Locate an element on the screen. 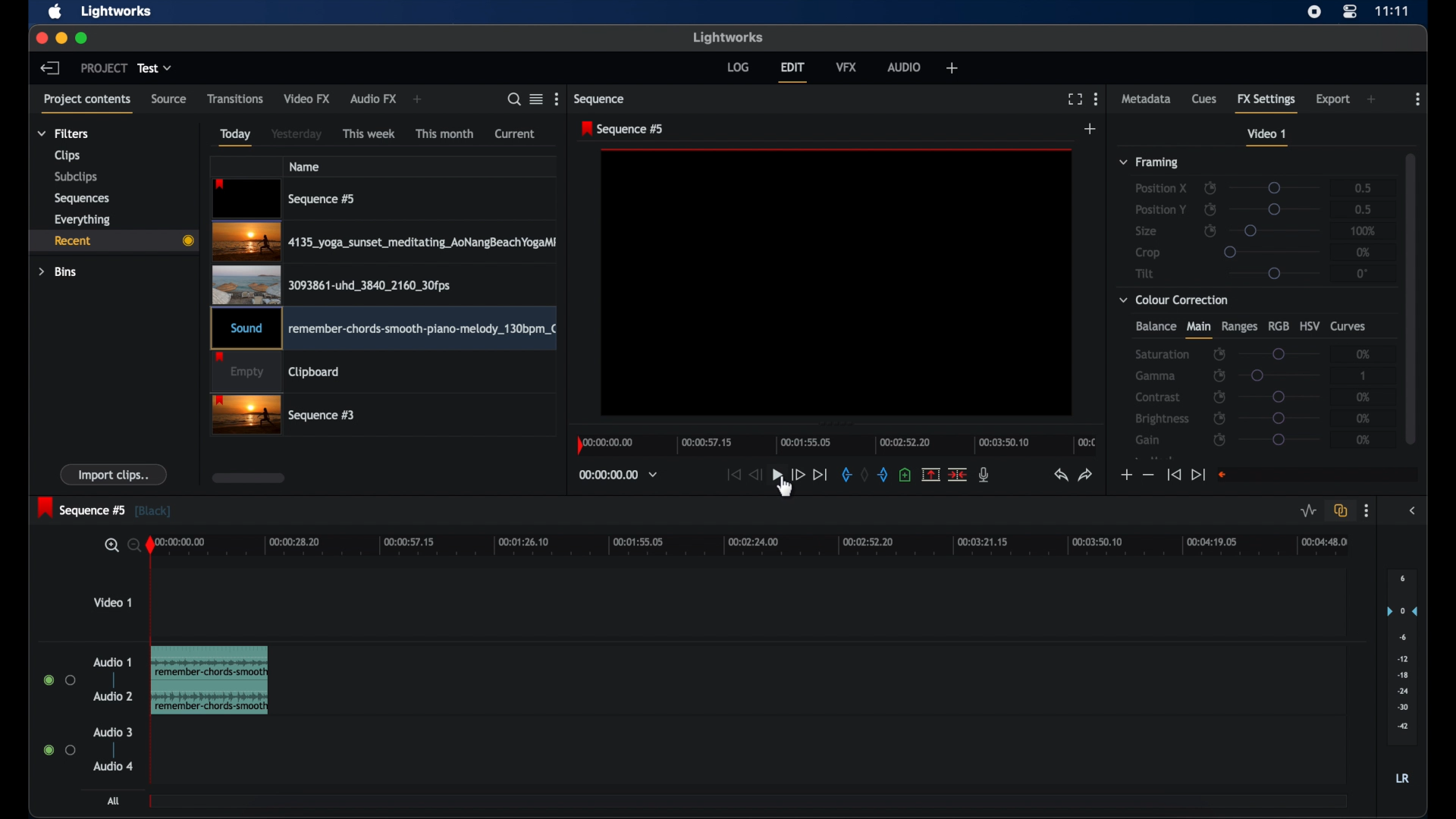 The image size is (1456, 819). current is located at coordinates (515, 134).